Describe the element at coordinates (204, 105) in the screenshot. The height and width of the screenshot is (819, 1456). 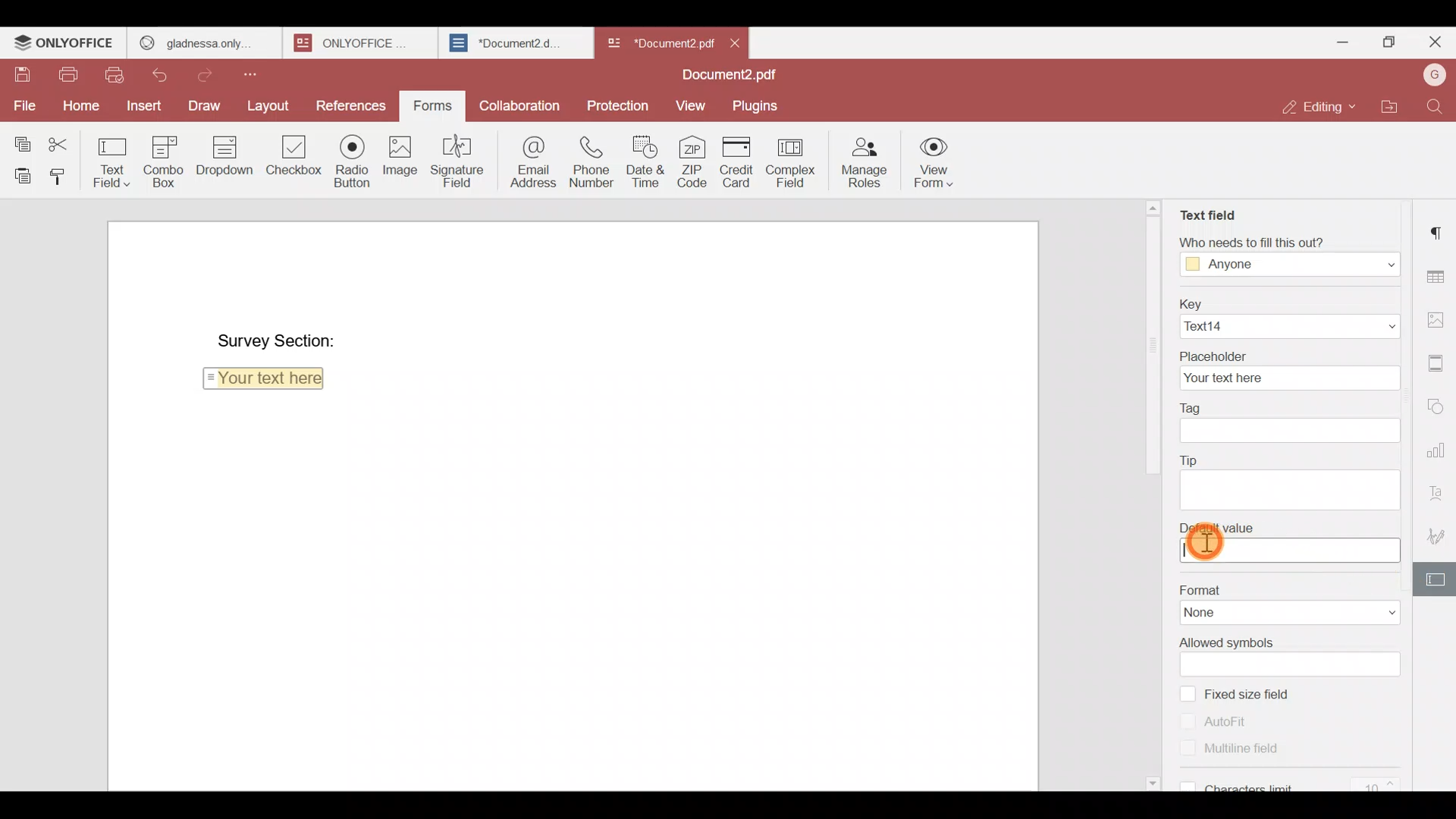
I see `Draw` at that location.